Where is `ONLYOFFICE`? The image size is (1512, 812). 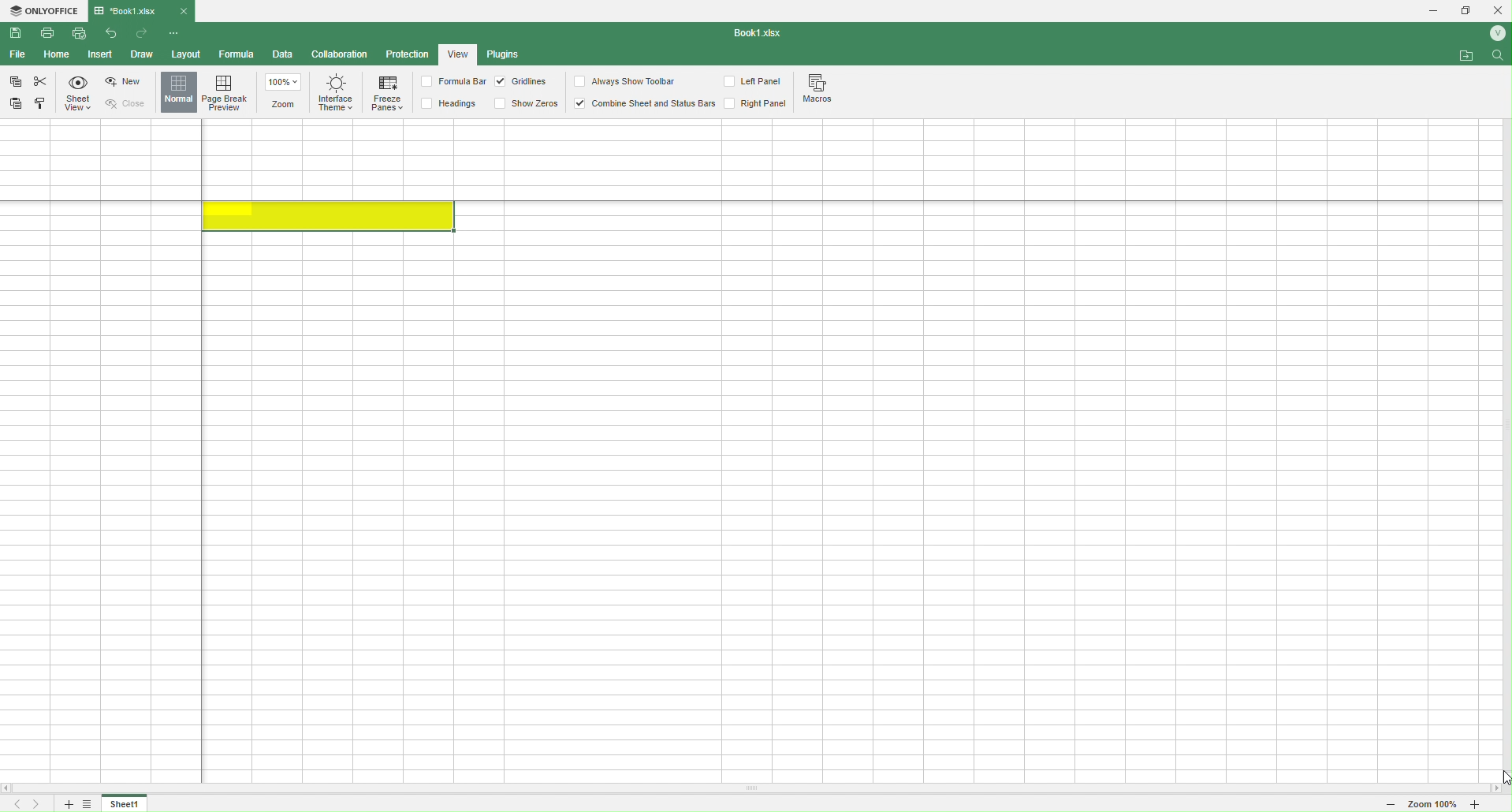
ONLYOFFICE is located at coordinates (44, 12).